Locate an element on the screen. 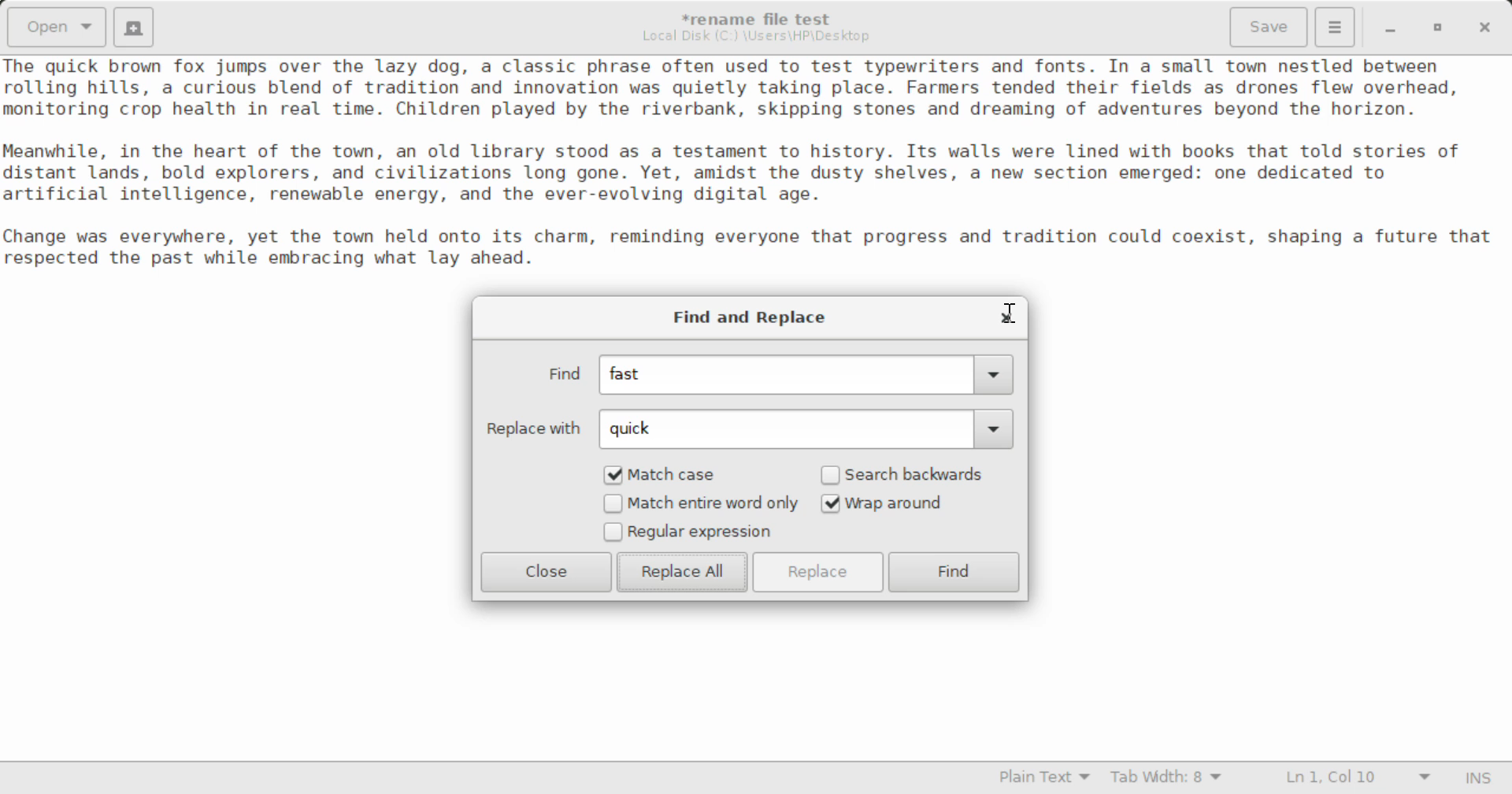 The image size is (1512, 794). Replace is located at coordinates (821, 572).